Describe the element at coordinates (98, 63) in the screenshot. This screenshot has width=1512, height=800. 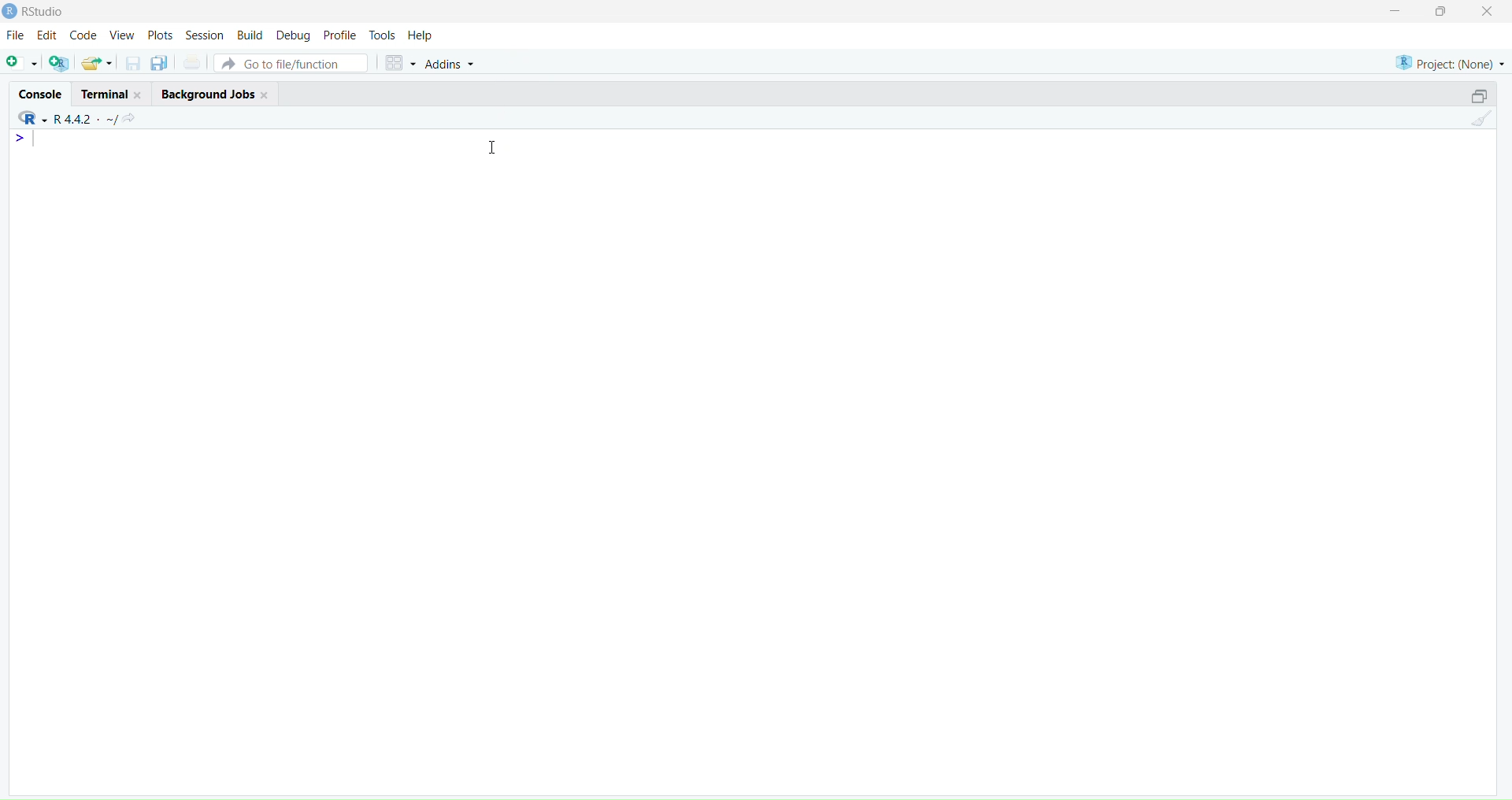
I see `open an existing file` at that location.